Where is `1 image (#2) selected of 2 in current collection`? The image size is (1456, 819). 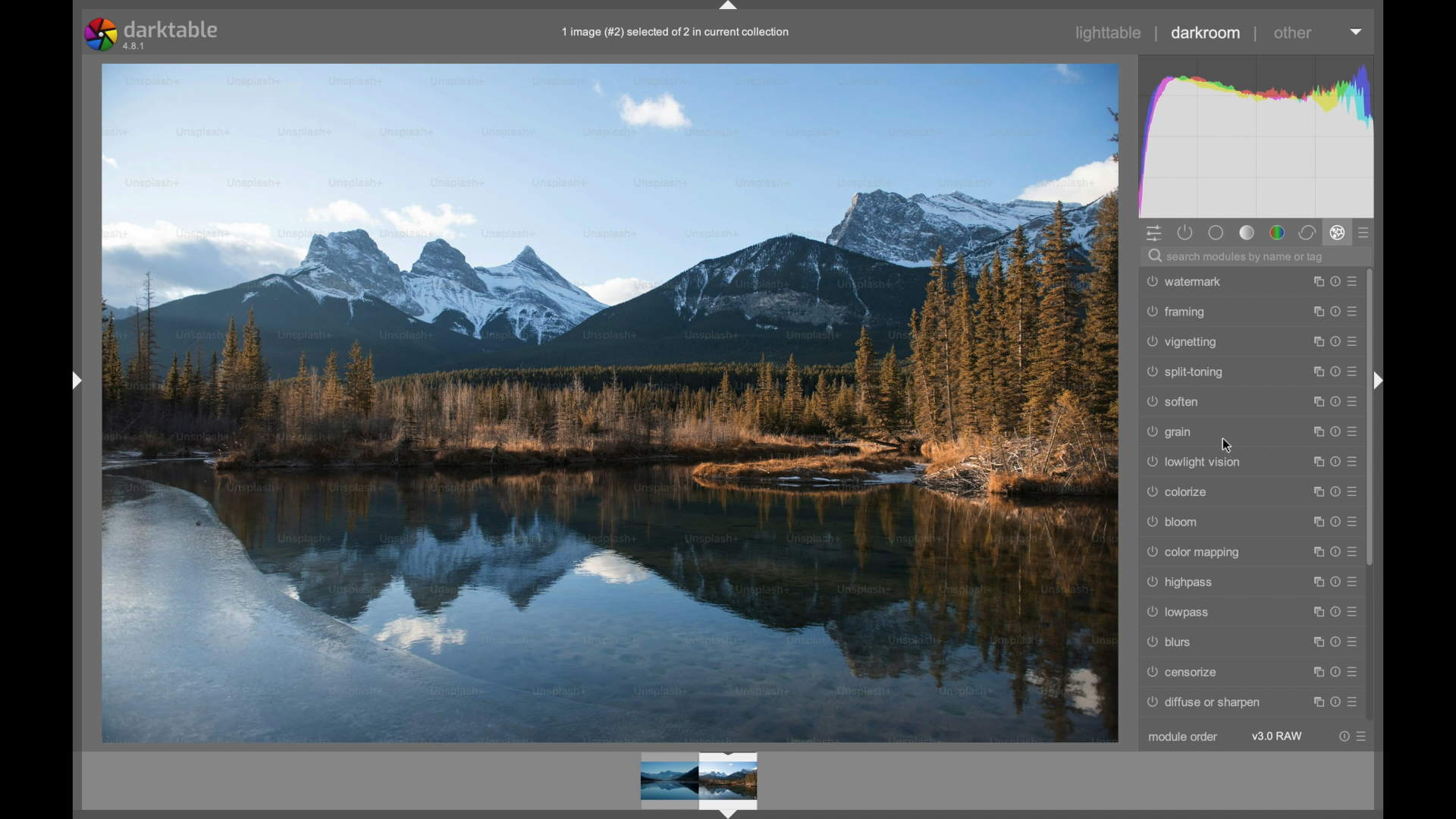 1 image (#2) selected of 2 in current collection is located at coordinates (682, 37).